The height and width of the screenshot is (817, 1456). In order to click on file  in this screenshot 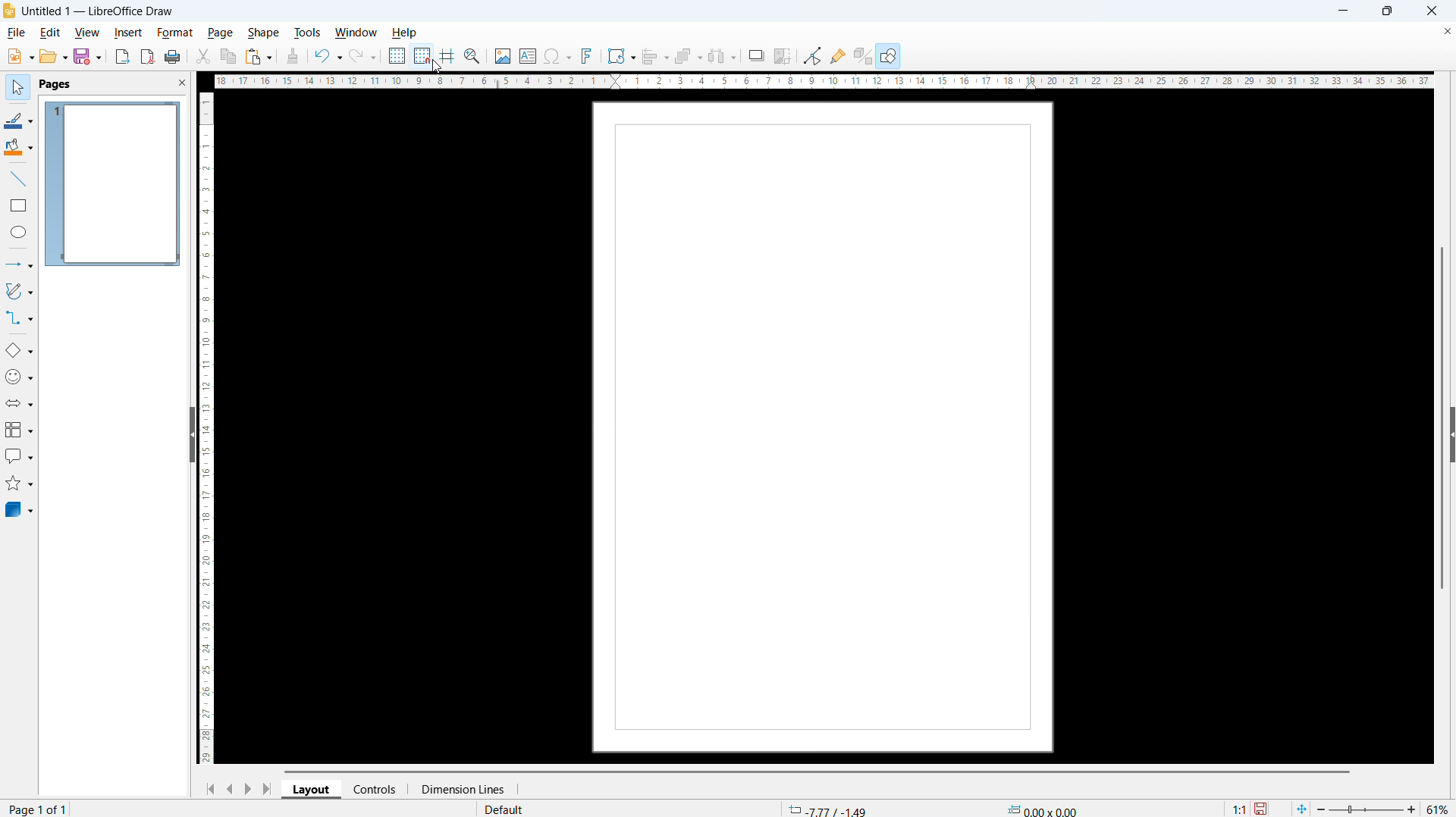, I will do `click(16, 33)`.